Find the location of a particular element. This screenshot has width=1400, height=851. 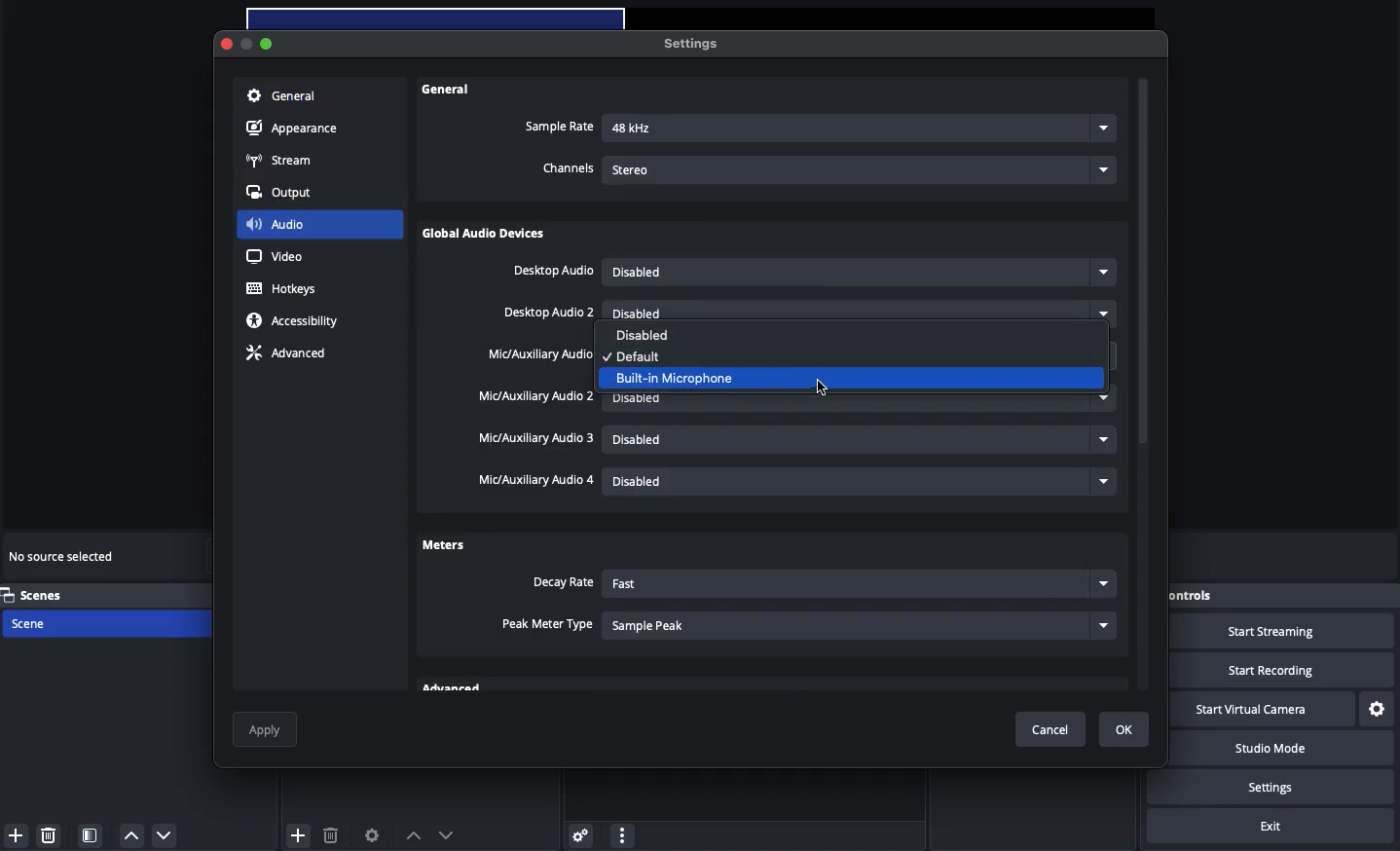

Disabled is located at coordinates (863, 314).